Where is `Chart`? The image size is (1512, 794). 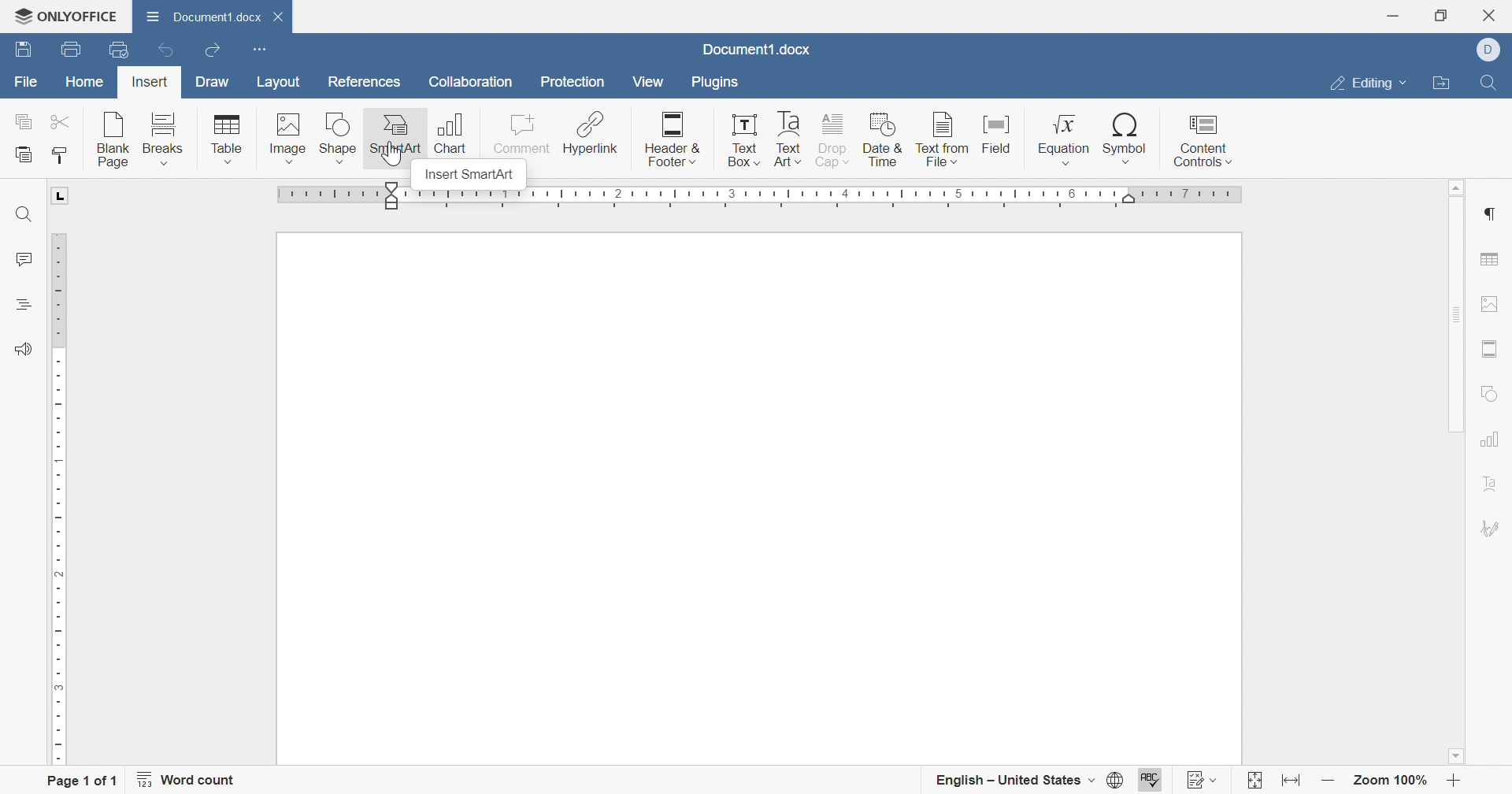 Chart is located at coordinates (454, 131).